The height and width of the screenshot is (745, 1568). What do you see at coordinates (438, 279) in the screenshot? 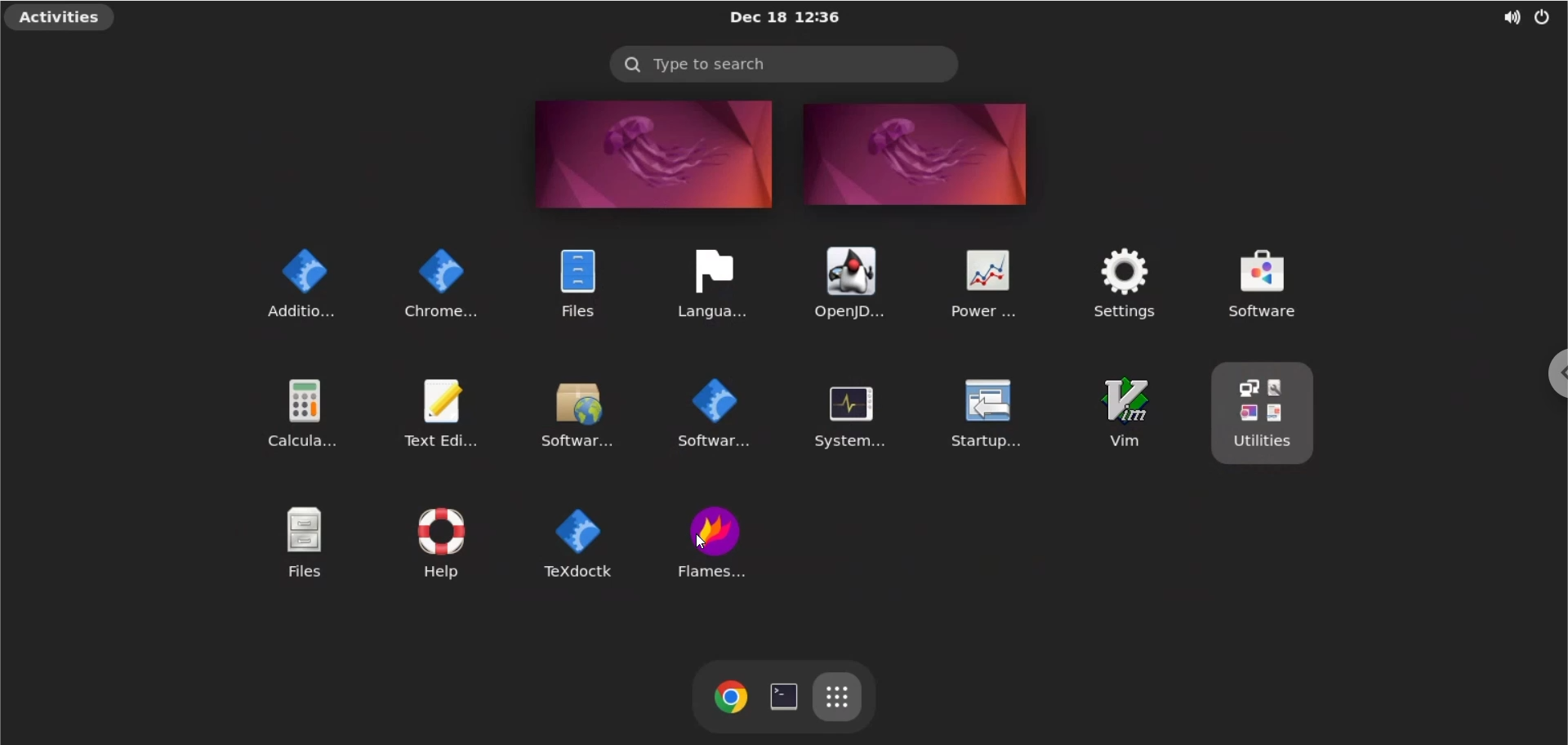
I see `chrome settings` at bounding box center [438, 279].